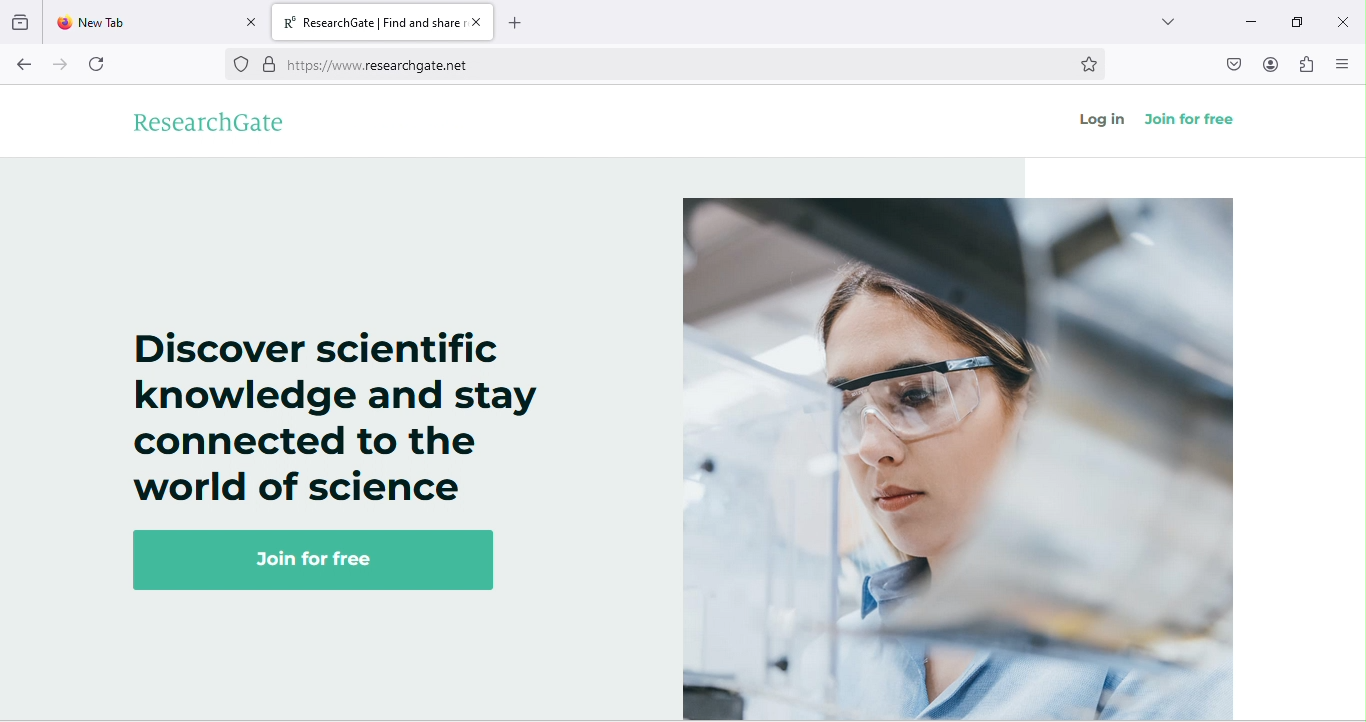 This screenshot has height=722, width=1366. Describe the element at coordinates (105, 64) in the screenshot. I see `refresh` at that location.